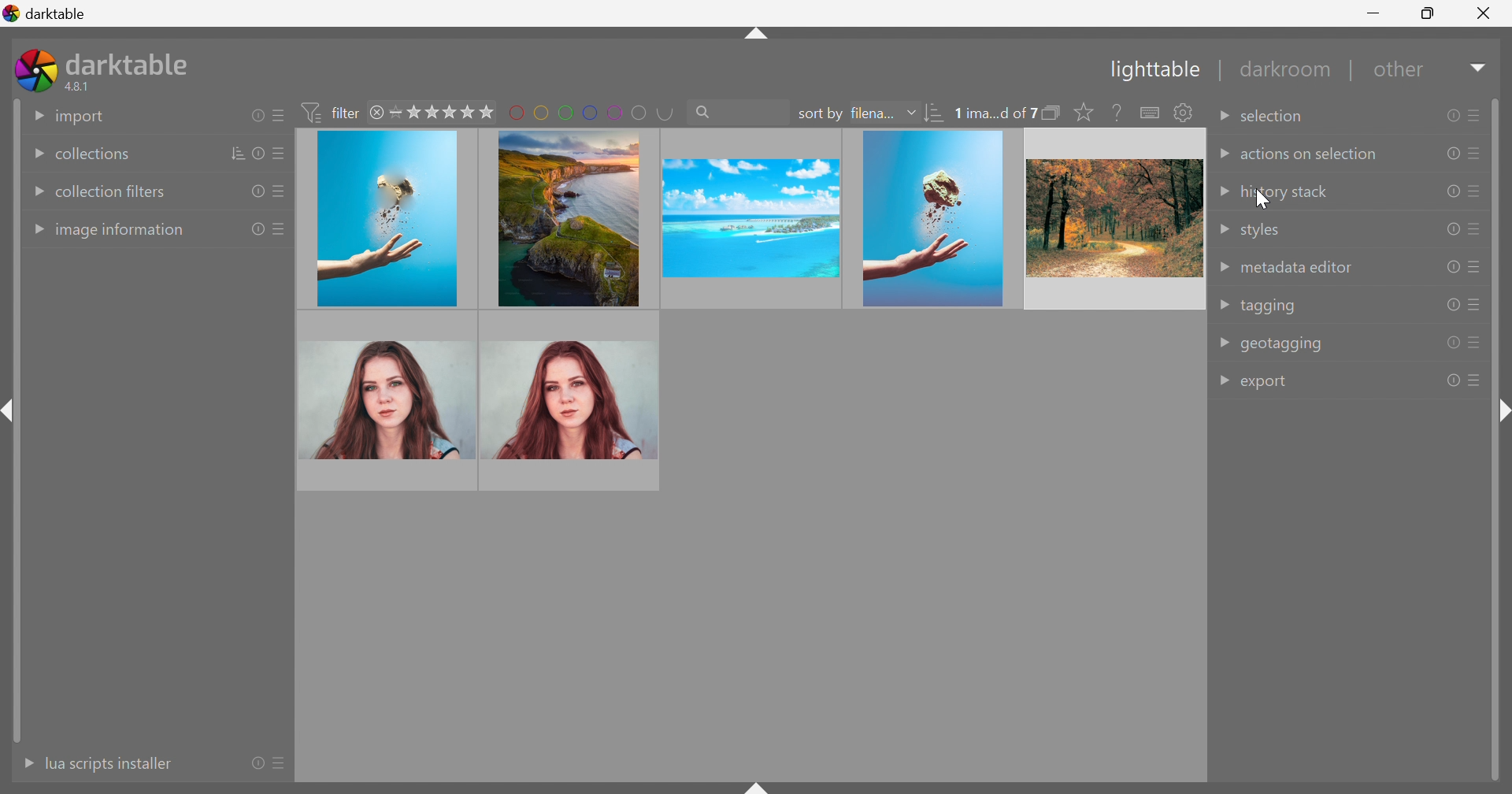  What do you see at coordinates (758, 785) in the screenshot?
I see `shift+ctrl+b` at bounding box center [758, 785].